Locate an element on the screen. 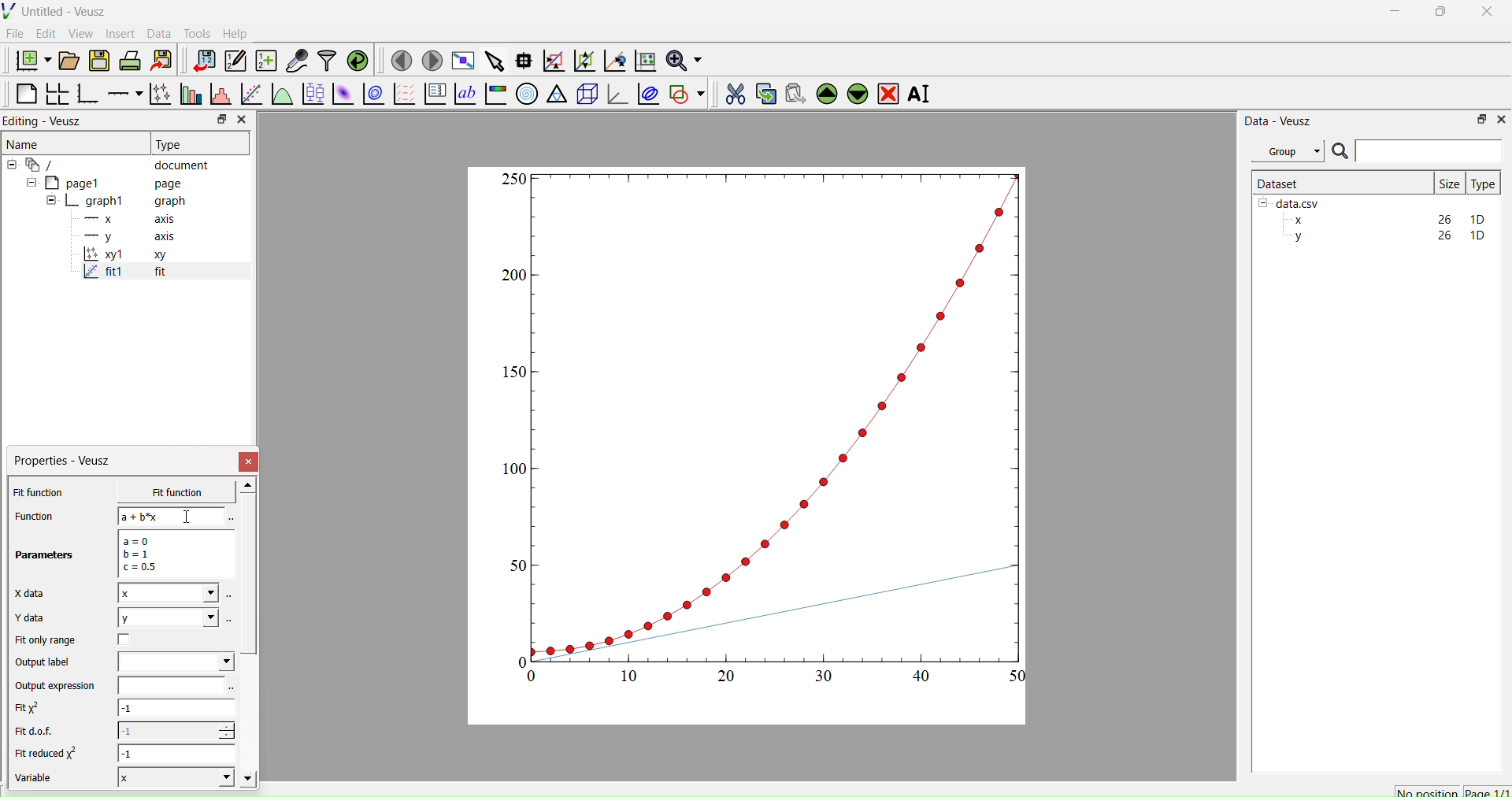 The width and height of the screenshot is (1512, 797). Parameters is located at coordinates (46, 555).